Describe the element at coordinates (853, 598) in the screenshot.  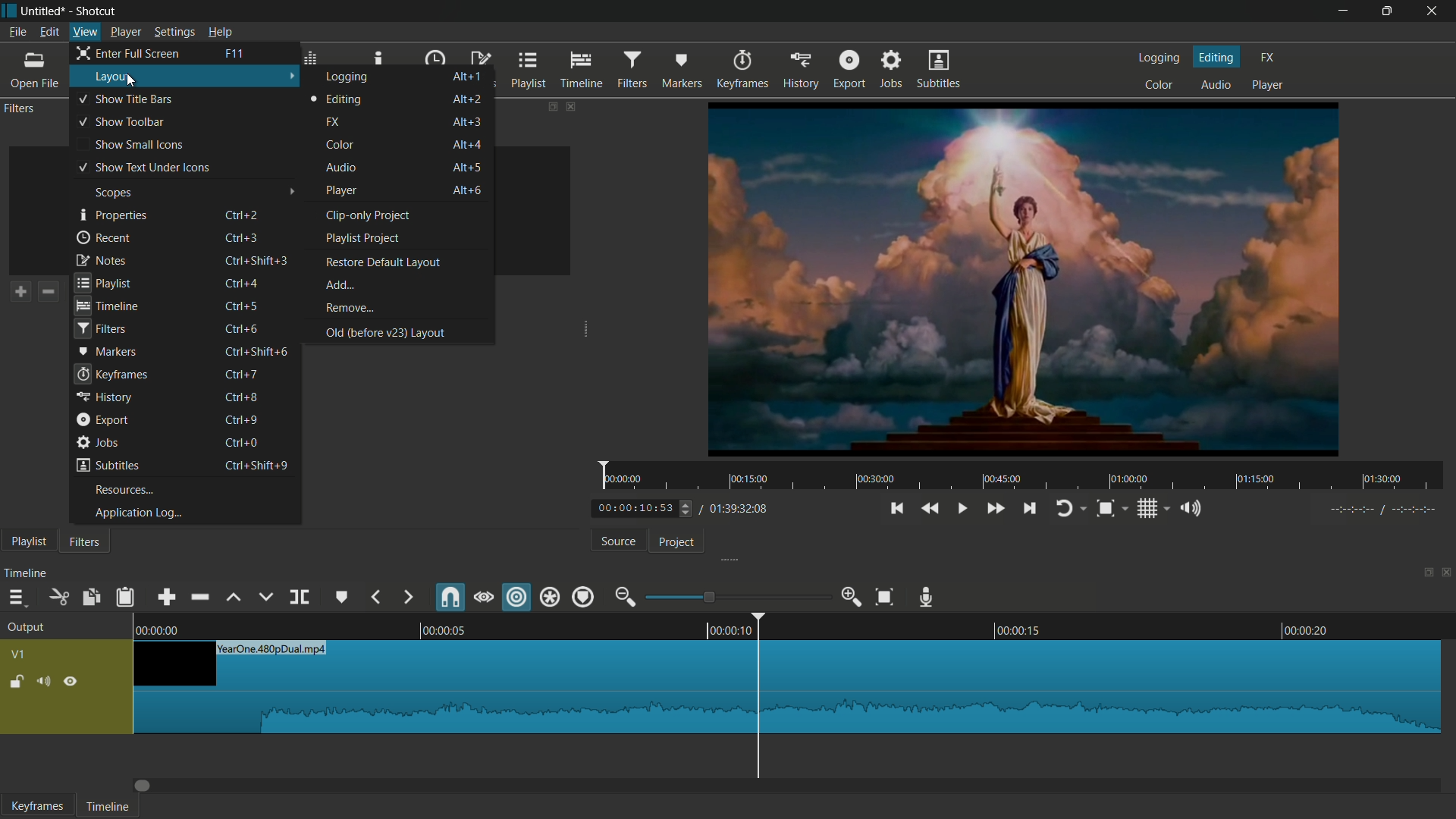
I see `zoom in` at that location.